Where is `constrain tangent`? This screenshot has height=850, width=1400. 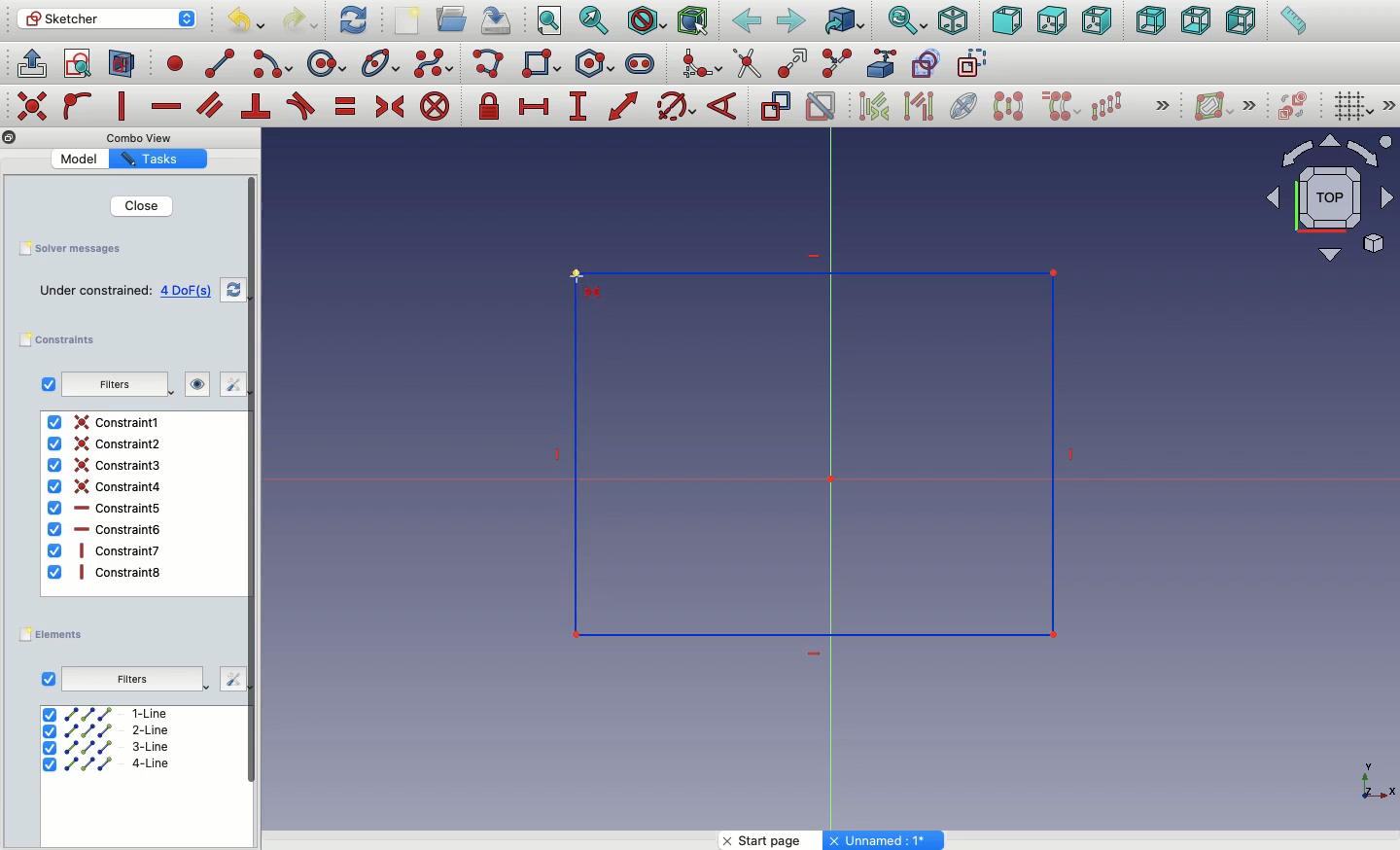
constrain tangent is located at coordinates (301, 106).